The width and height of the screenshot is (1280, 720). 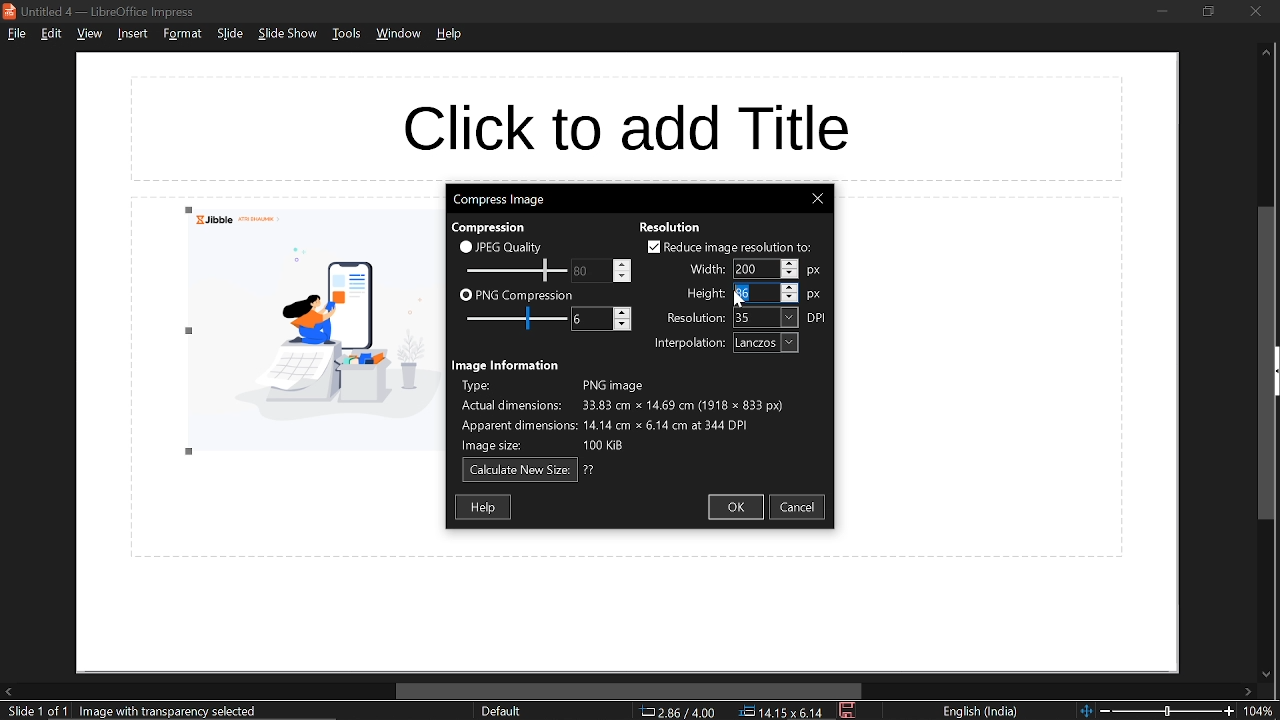 I want to click on window, so click(x=401, y=34).